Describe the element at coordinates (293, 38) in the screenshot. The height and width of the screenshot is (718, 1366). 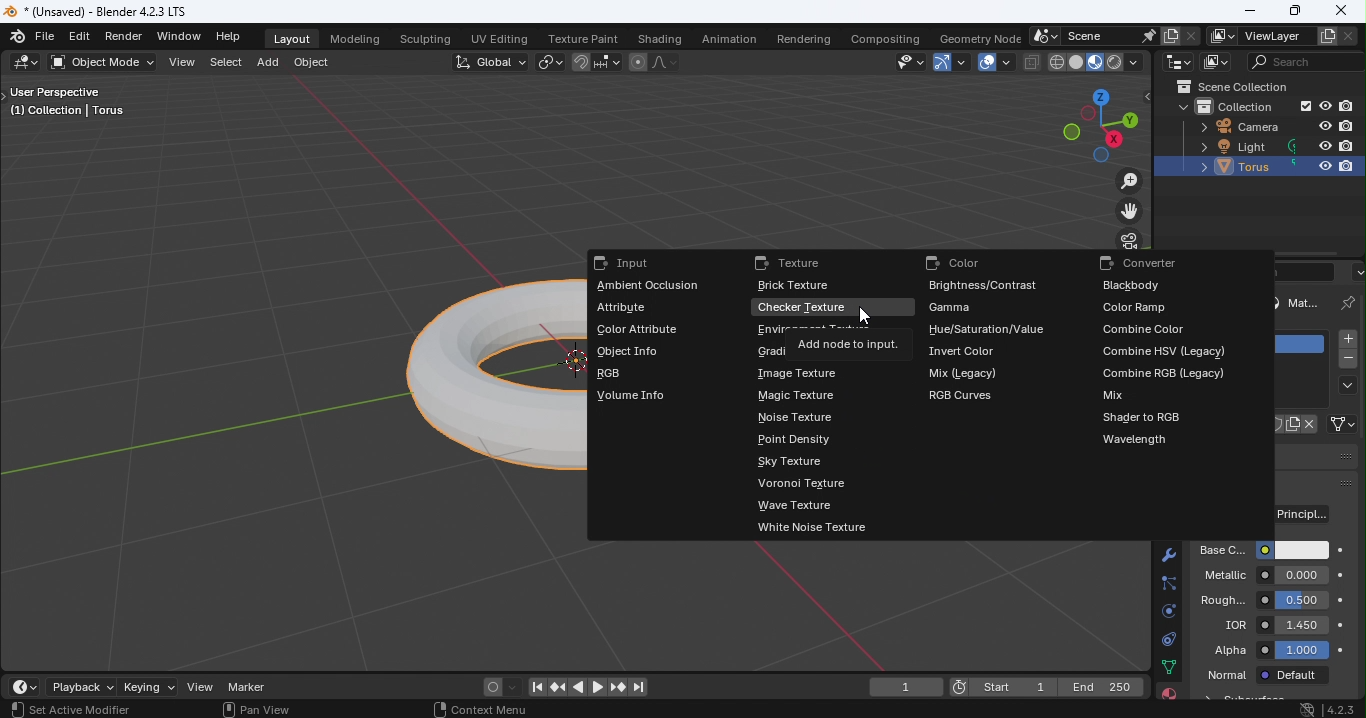
I see `Layout` at that location.